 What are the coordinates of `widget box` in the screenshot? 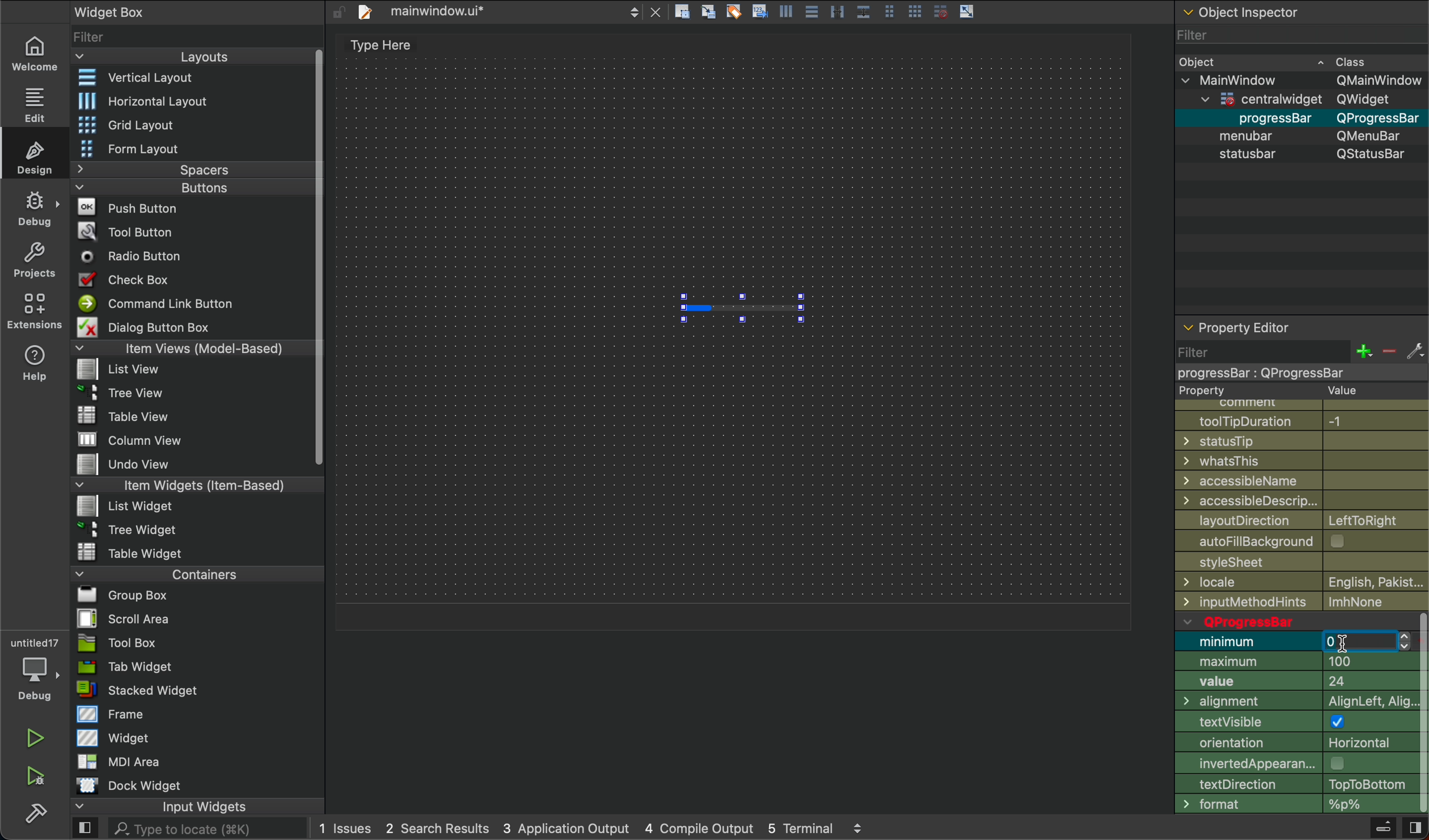 It's located at (143, 11).